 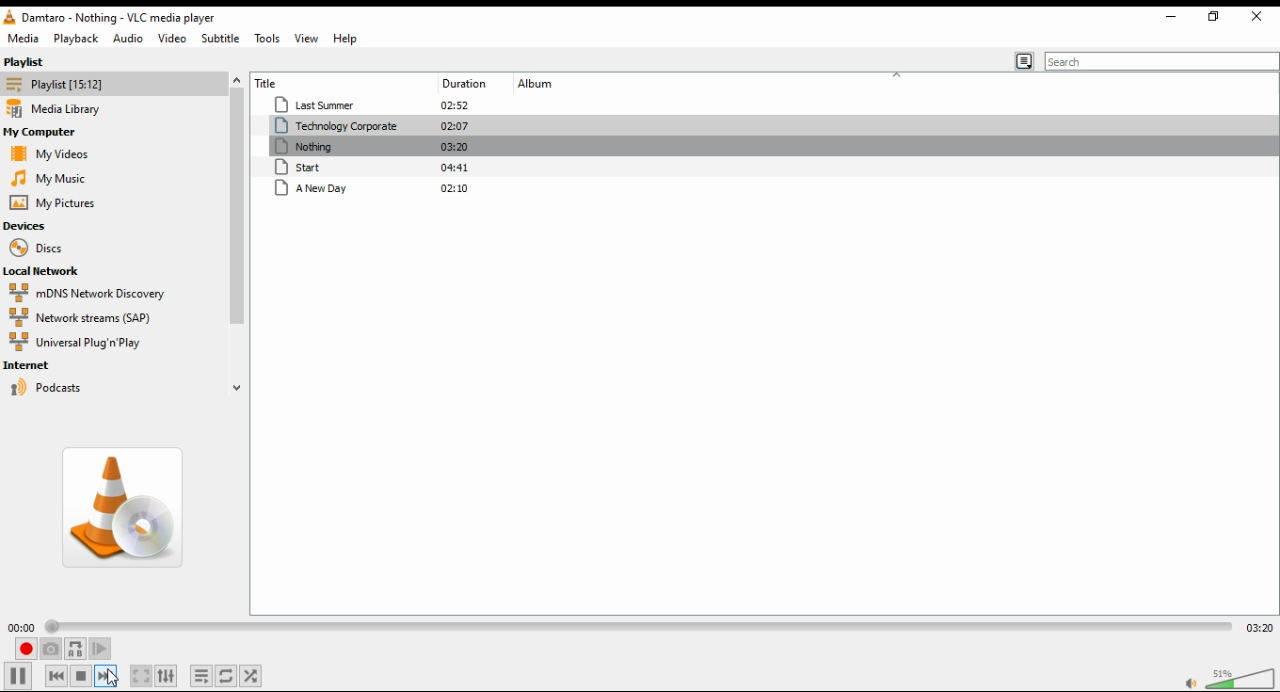 I want to click on playlist, so click(x=28, y=63).